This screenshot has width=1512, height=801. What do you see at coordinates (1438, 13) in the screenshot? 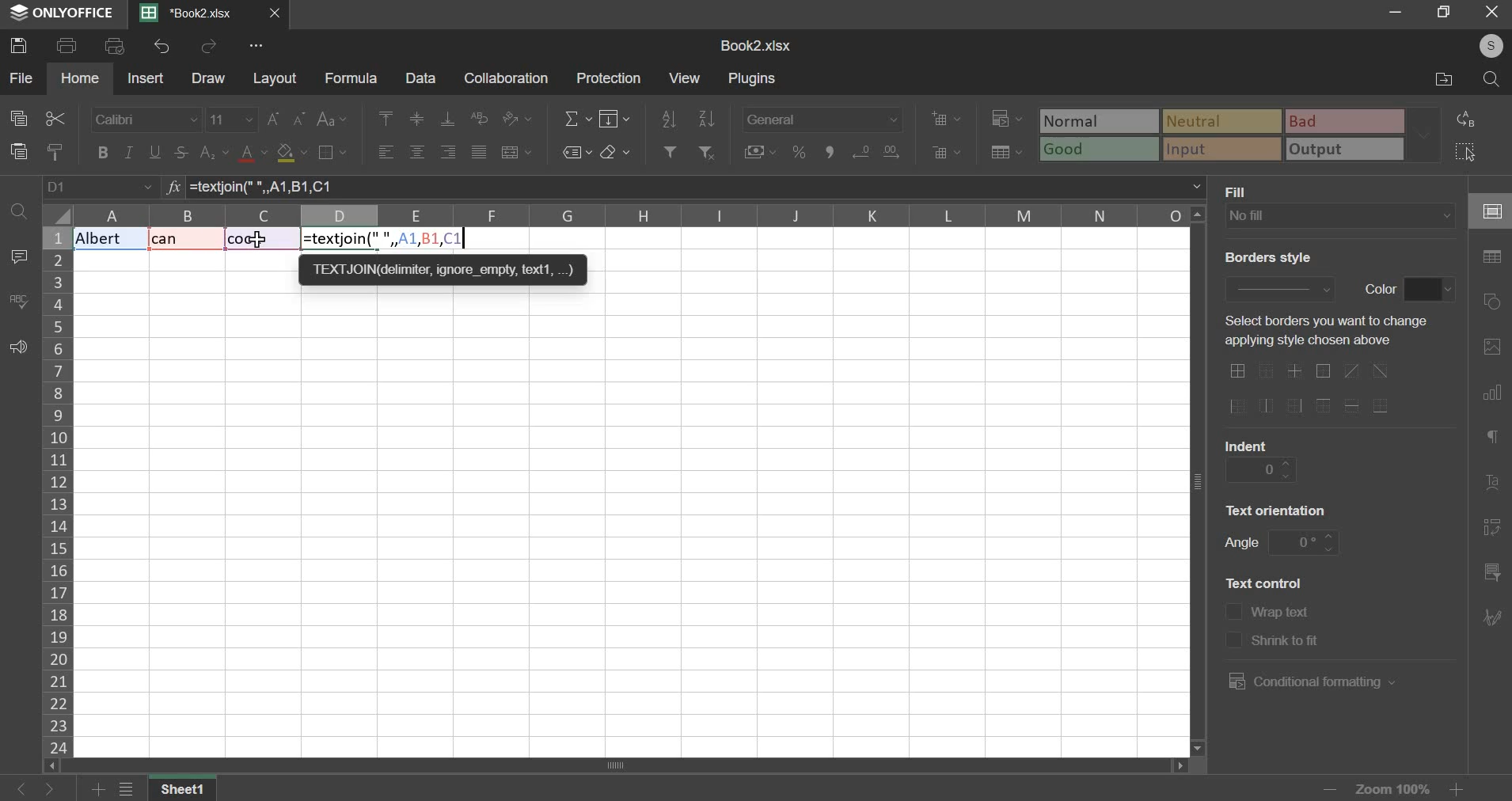
I see `reisze` at bounding box center [1438, 13].